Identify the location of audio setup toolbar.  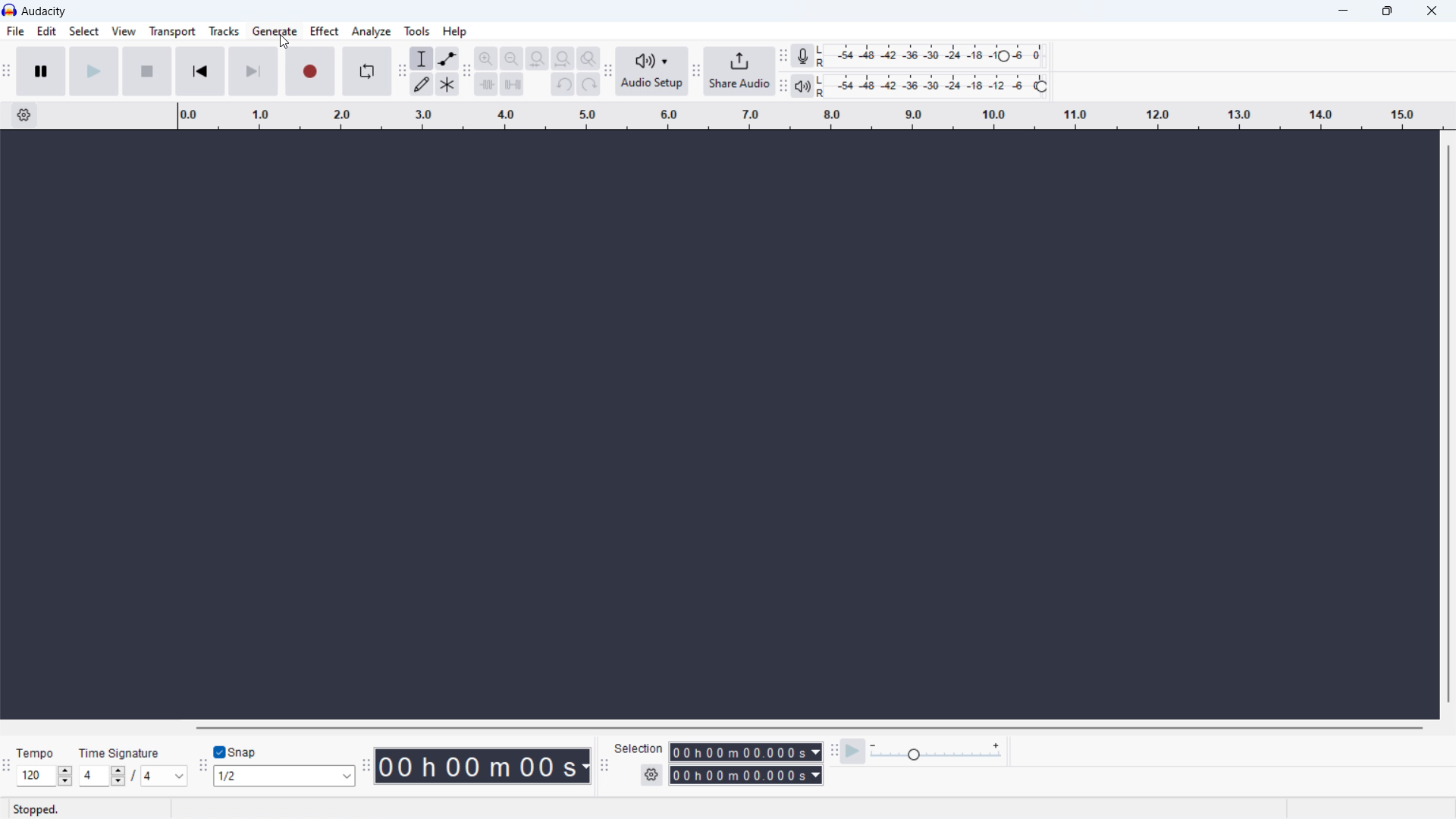
(608, 71).